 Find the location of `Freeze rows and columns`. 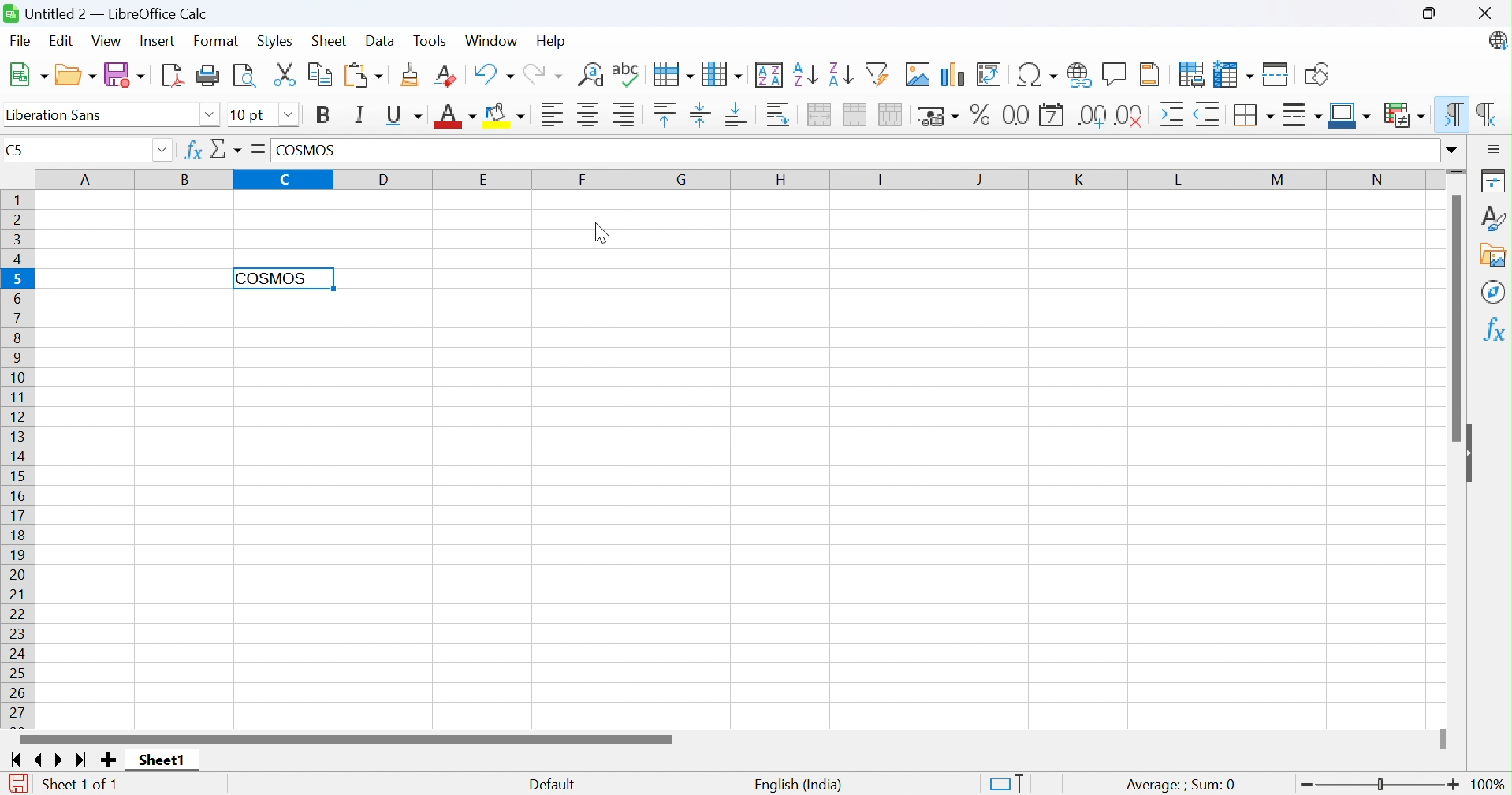

Freeze rows and columns is located at coordinates (1234, 75).